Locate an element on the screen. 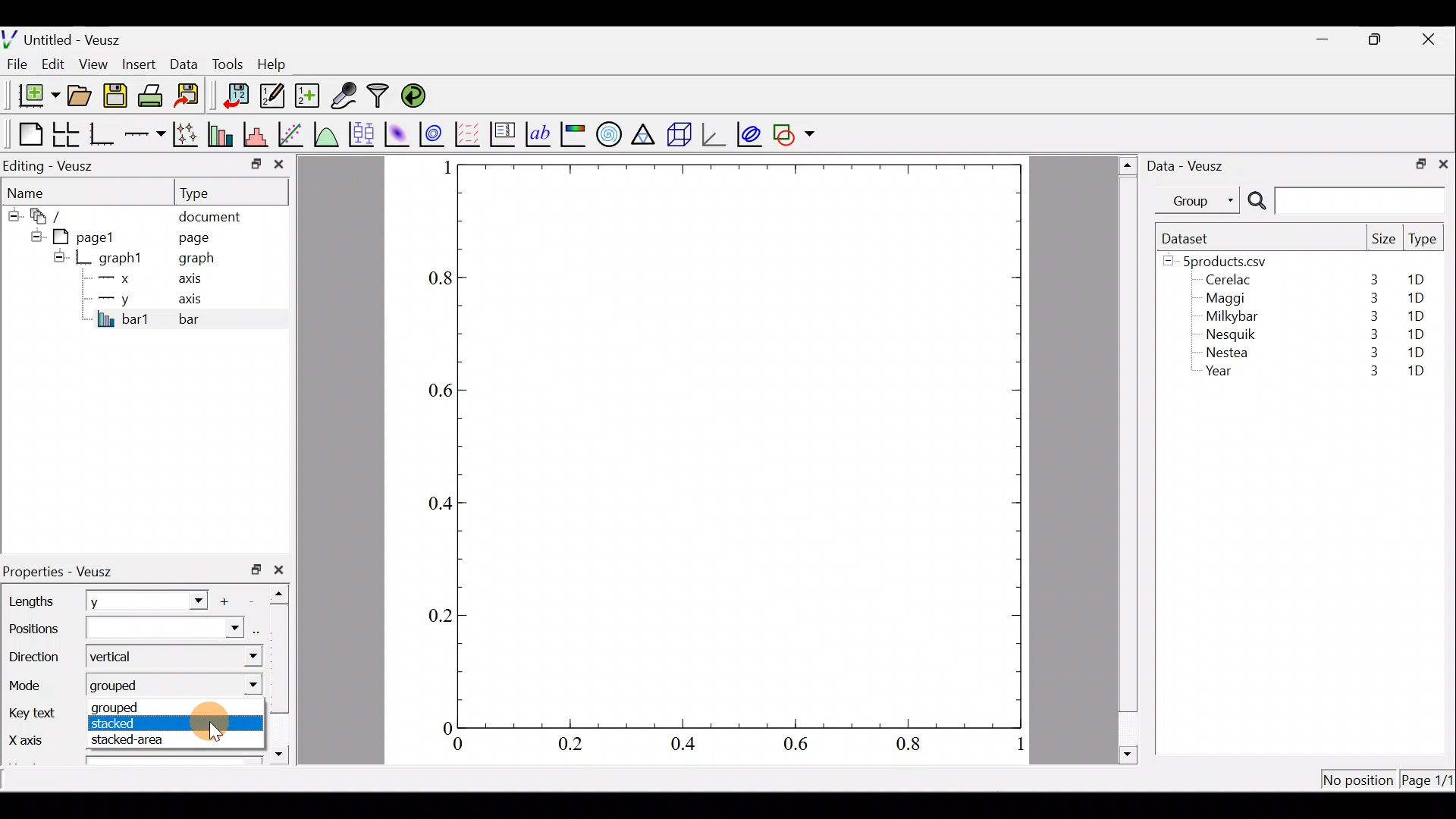  Plot bar charts is located at coordinates (222, 133).